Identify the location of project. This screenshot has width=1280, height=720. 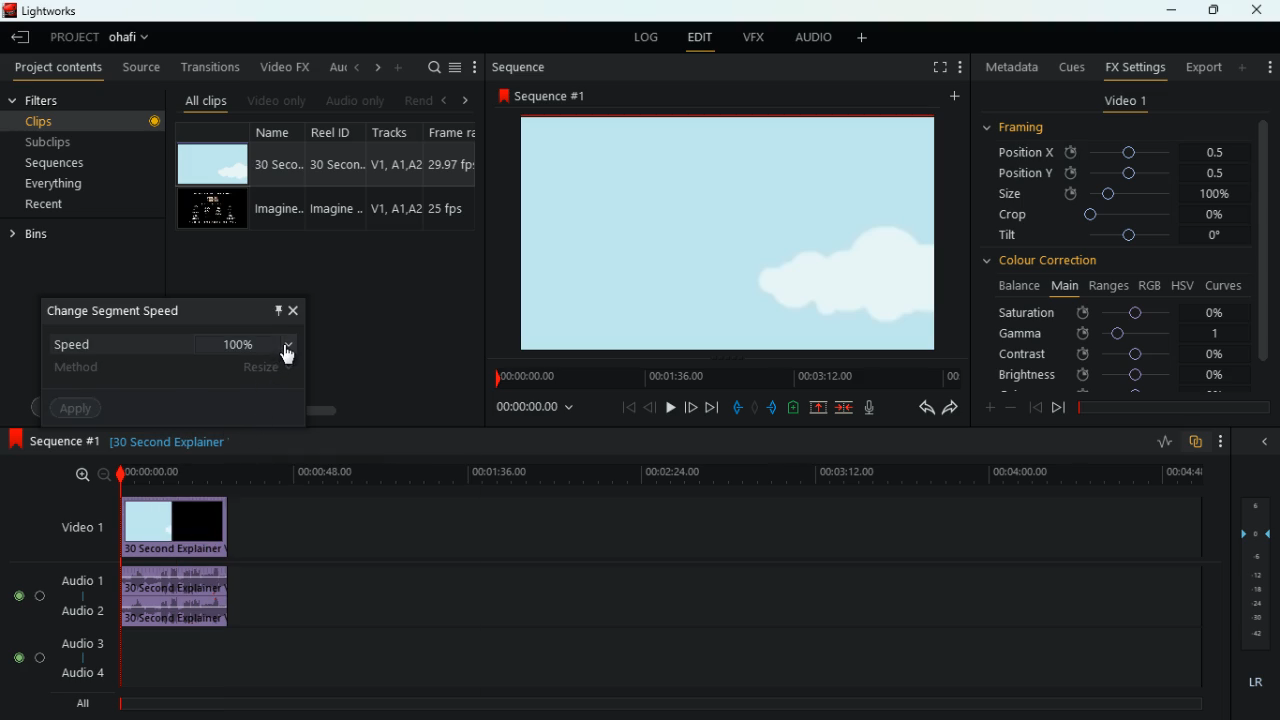
(102, 38).